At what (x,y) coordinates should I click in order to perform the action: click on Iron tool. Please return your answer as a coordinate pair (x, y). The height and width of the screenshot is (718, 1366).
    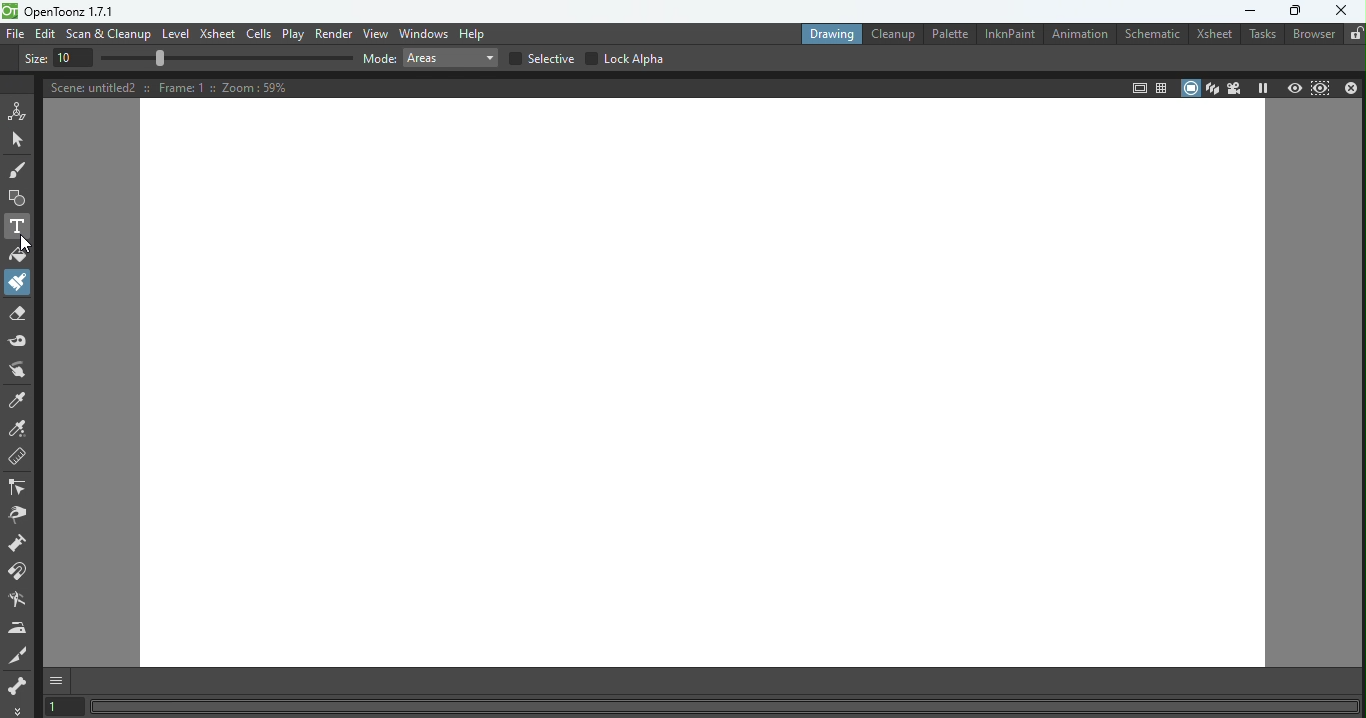
    Looking at the image, I should click on (19, 628).